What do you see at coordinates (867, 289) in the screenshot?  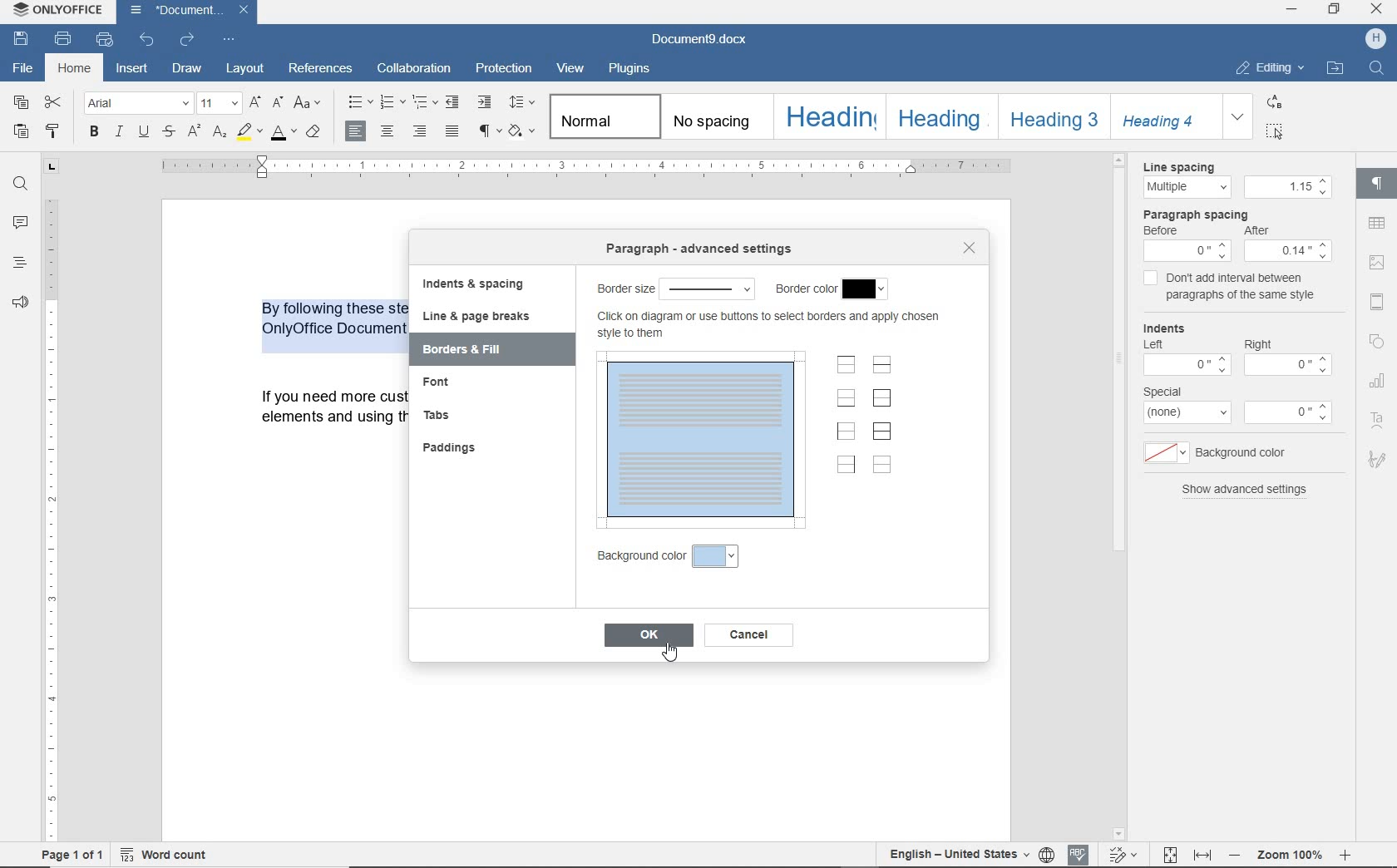 I see `select` at bounding box center [867, 289].